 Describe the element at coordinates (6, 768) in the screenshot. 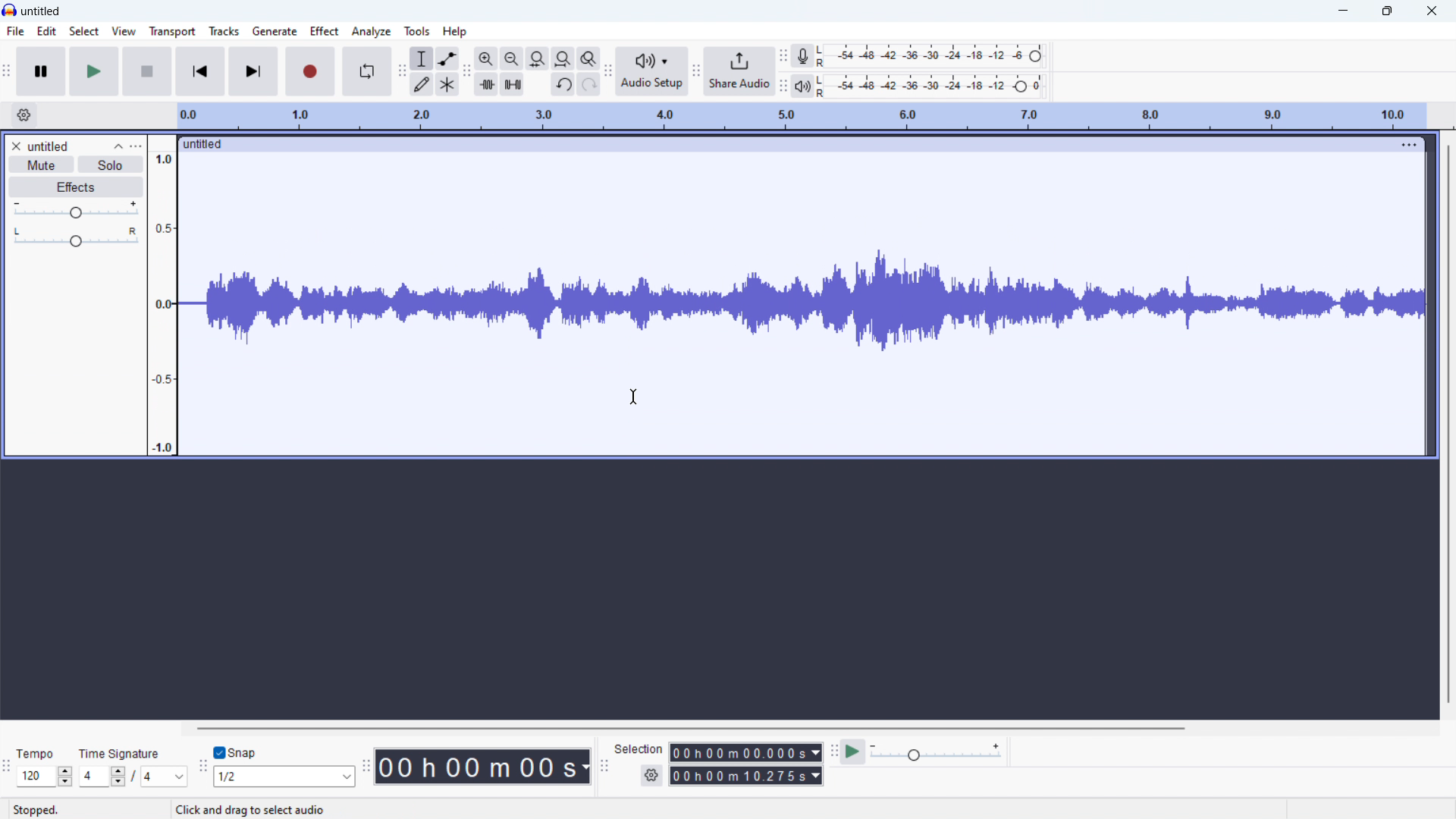

I see `time signature toolbar` at that location.